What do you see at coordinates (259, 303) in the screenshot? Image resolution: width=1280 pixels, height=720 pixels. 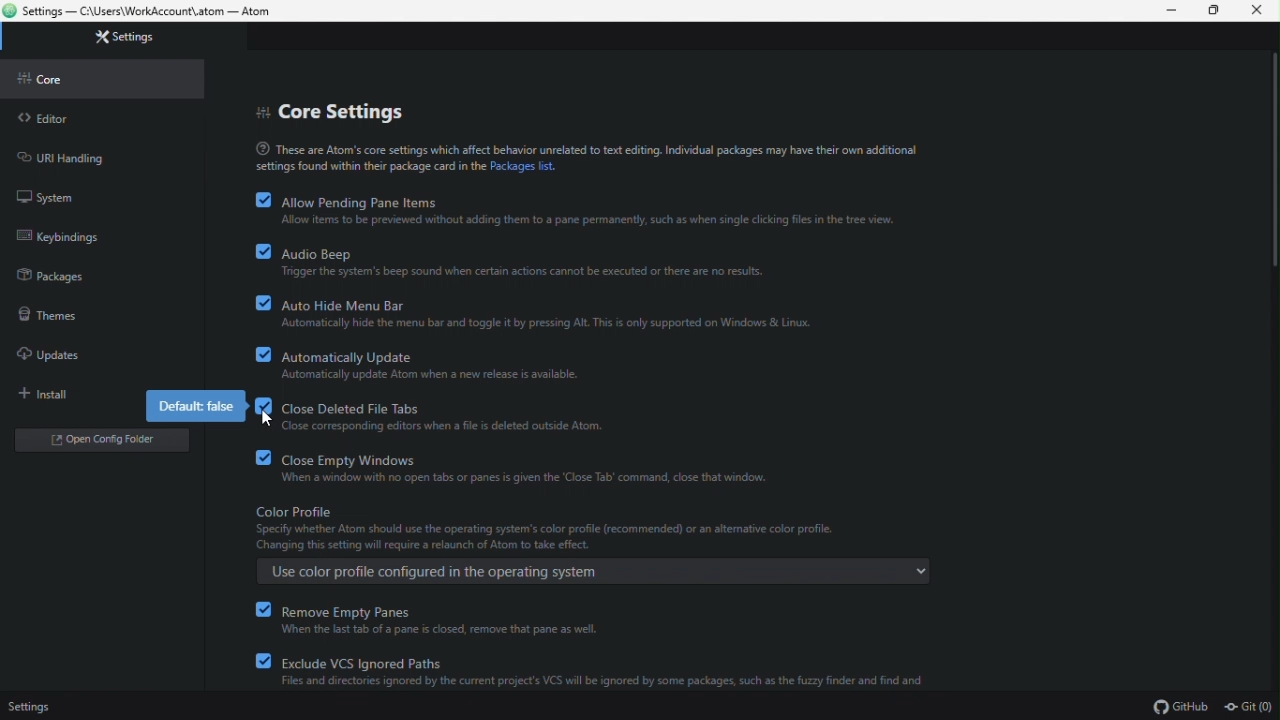 I see `checkbox` at bounding box center [259, 303].